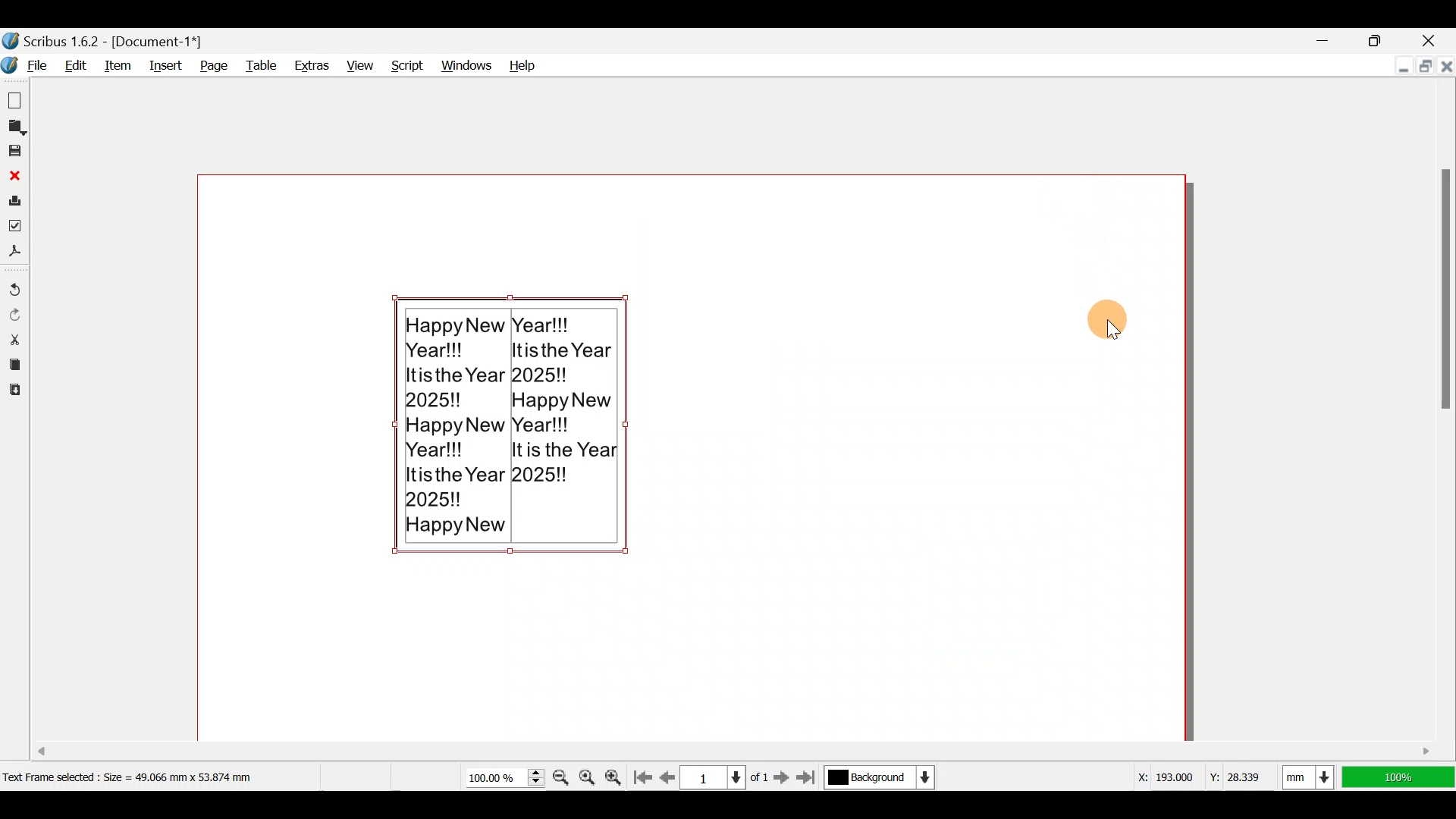 The width and height of the screenshot is (1456, 819). Describe the element at coordinates (15, 283) in the screenshot. I see `Undo` at that location.